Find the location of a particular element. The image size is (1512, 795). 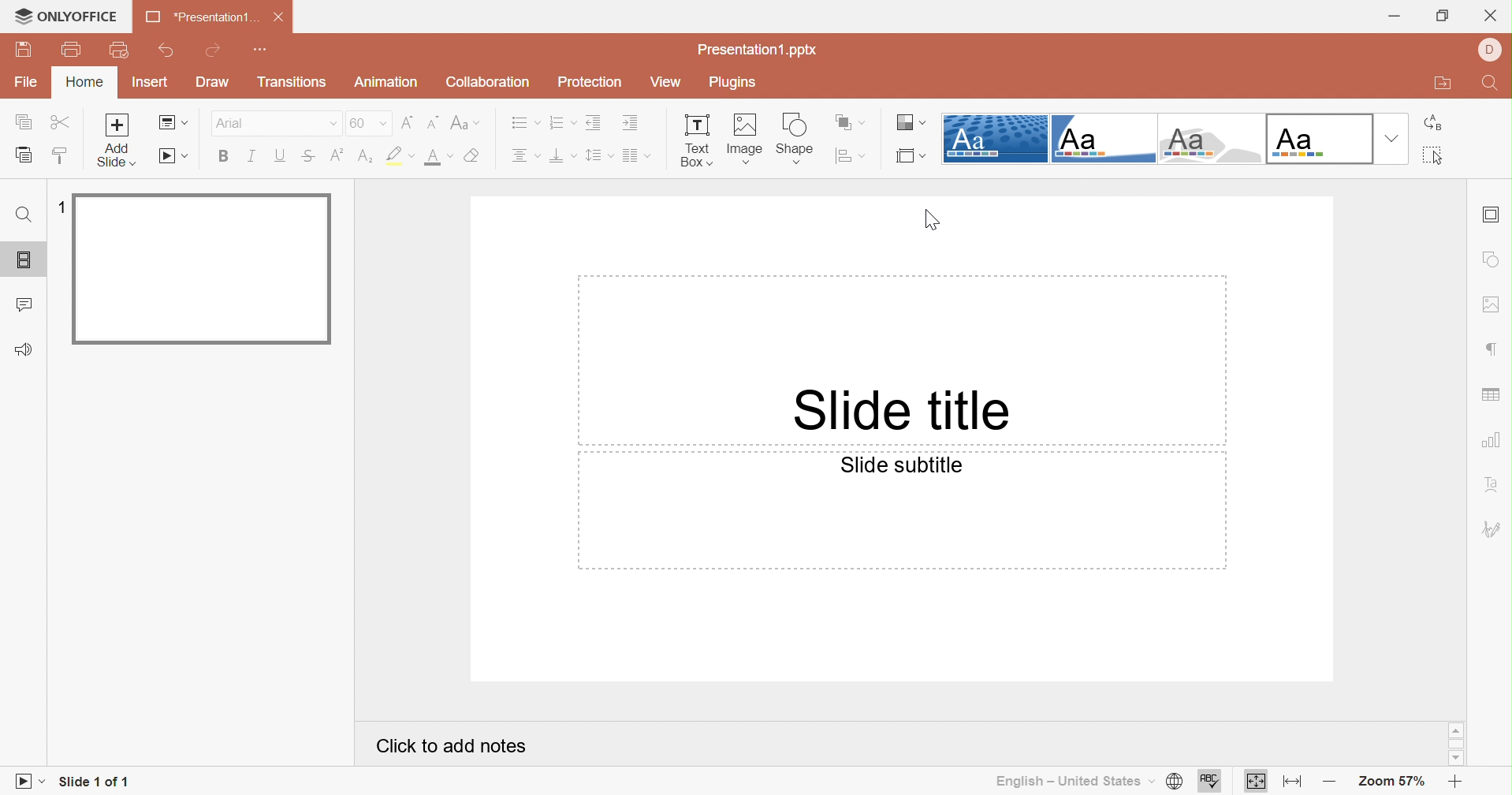

1 is located at coordinates (58, 207).